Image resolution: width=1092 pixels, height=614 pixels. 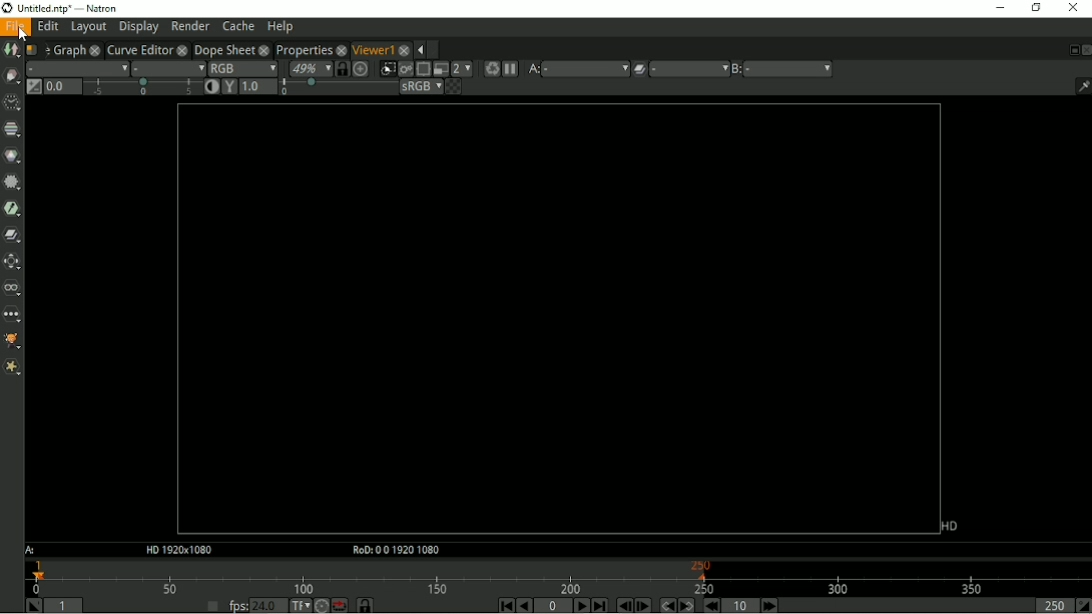 What do you see at coordinates (342, 68) in the screenshot?
I see `Synchronize` at bounding box center [342, 68].